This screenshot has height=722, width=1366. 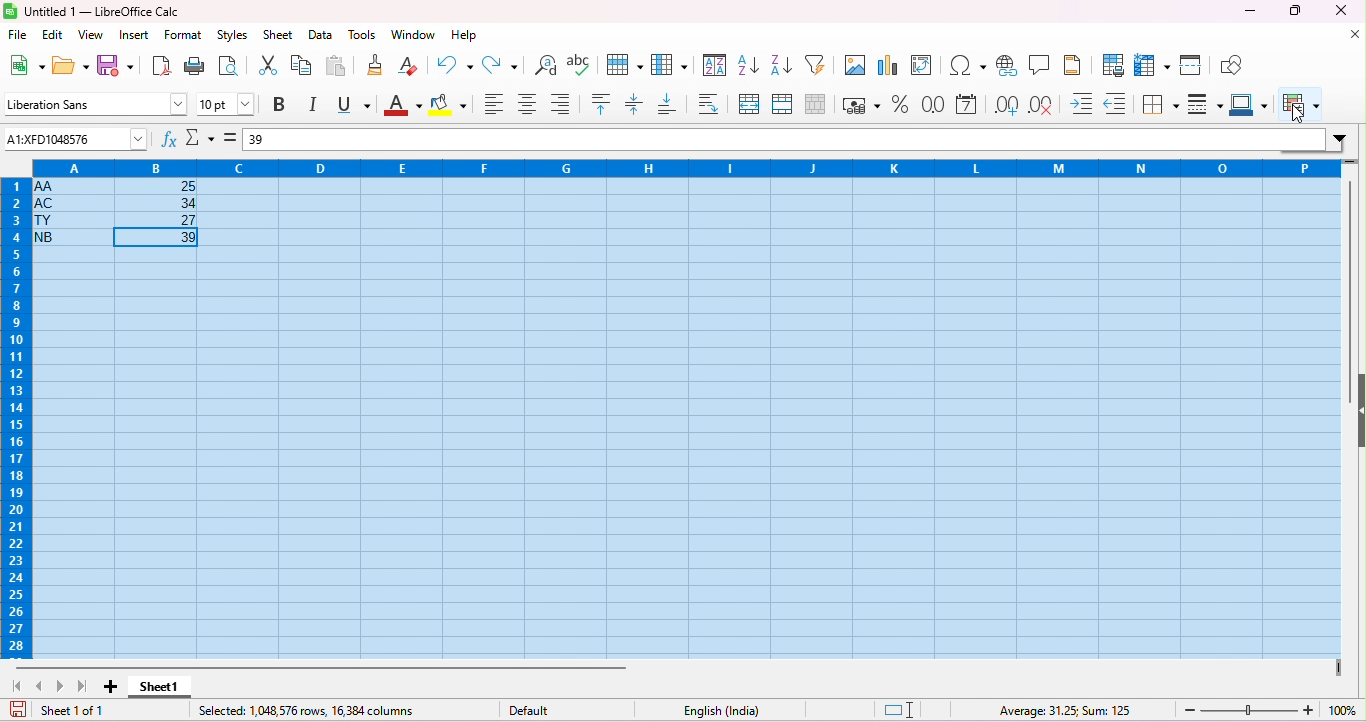 What do you see at coordinates (1357, 270) in the screenshot?
I see `vertical scroll bar` at bounding box center [1357, 270].